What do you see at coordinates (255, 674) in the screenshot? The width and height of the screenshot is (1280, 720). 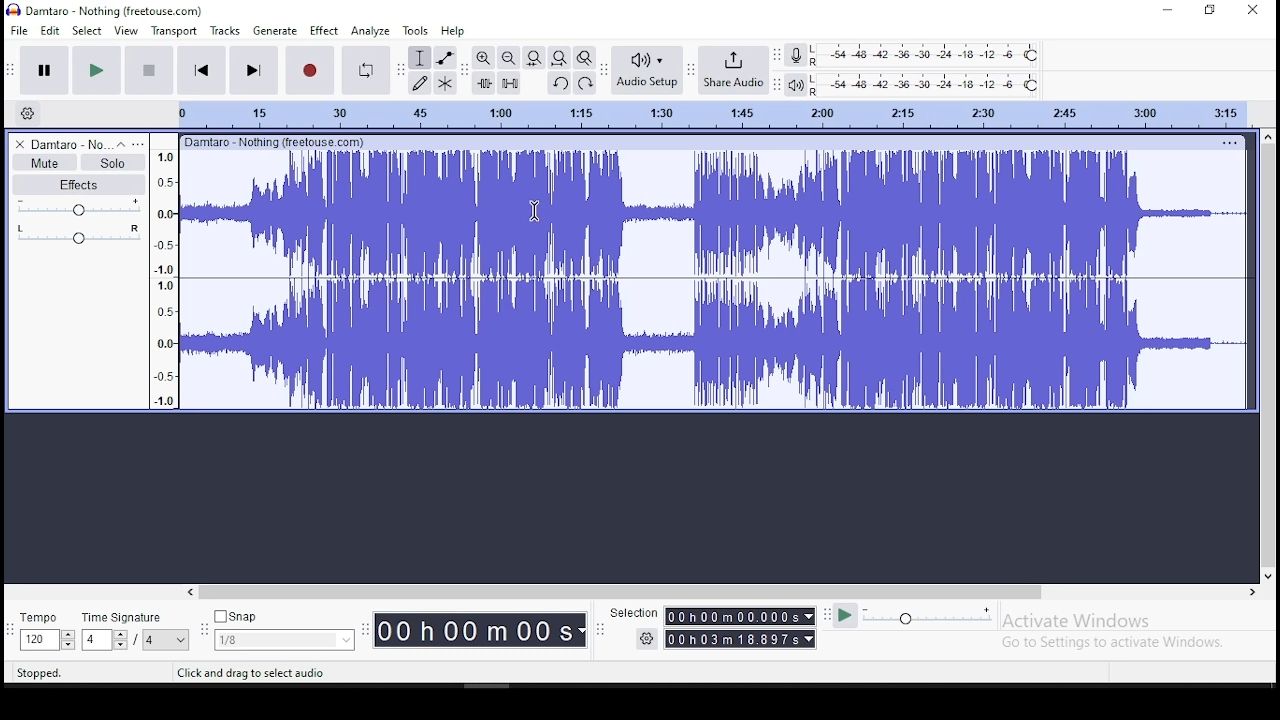 I see `click and drag to select audio` at bounding box center [255, 674].